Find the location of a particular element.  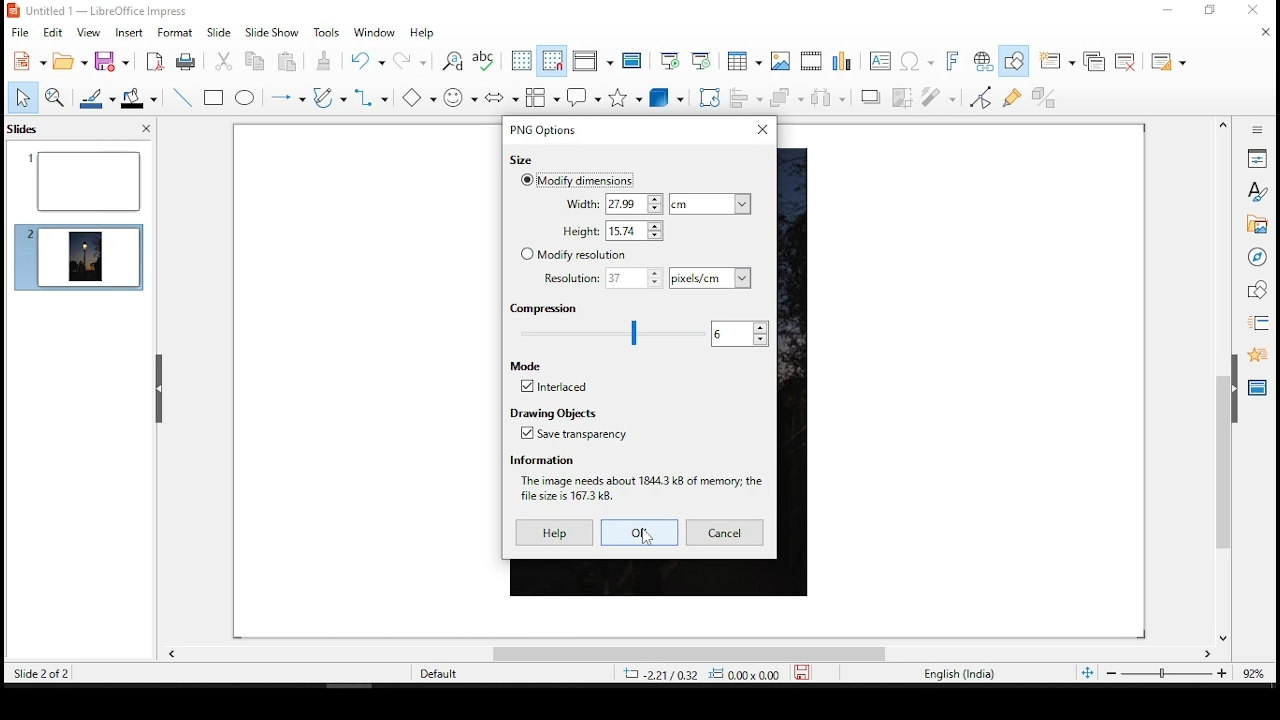

save is located at coordinates (111, 61).